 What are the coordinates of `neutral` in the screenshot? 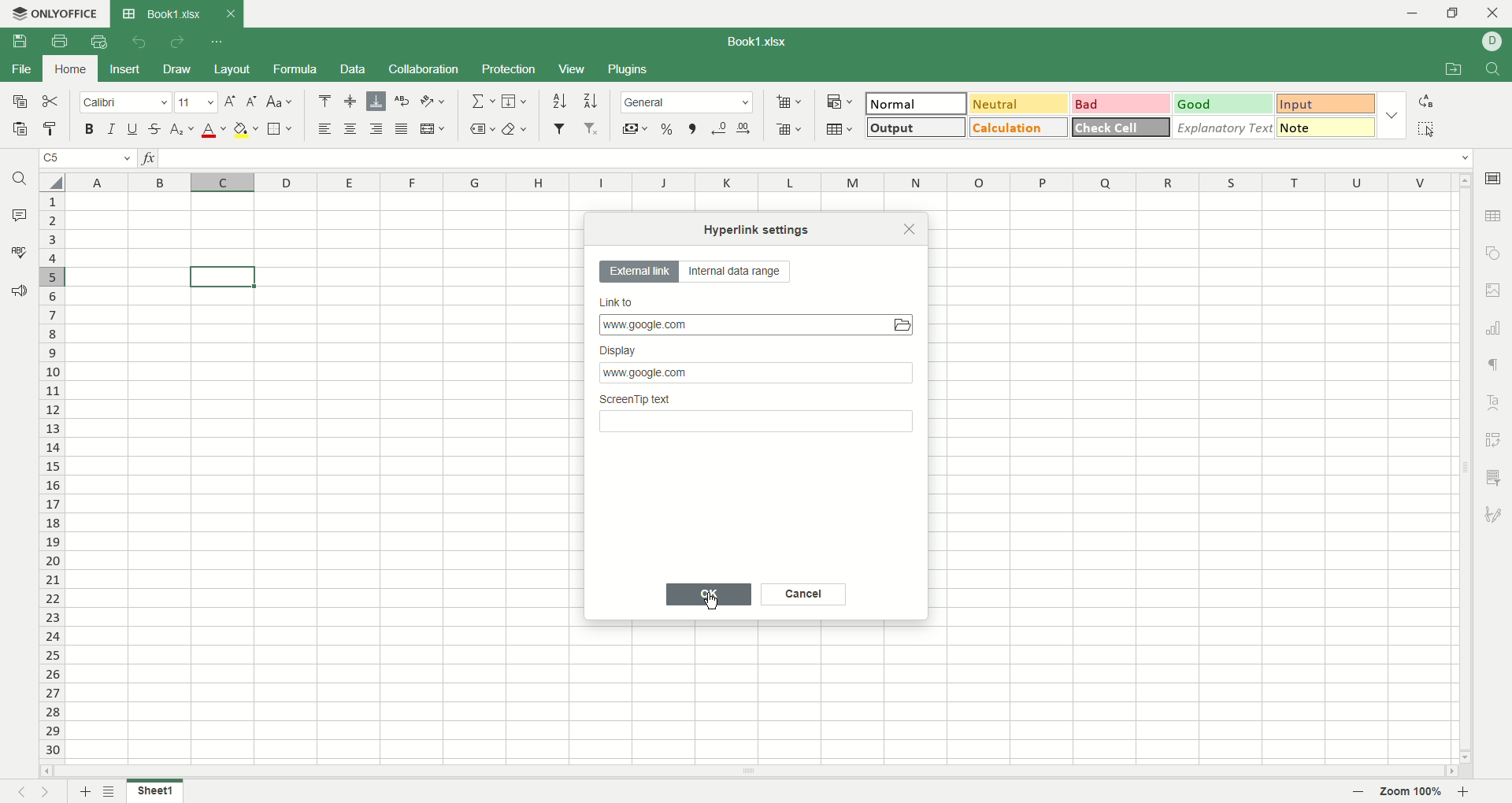 It's located at (1018, 102).